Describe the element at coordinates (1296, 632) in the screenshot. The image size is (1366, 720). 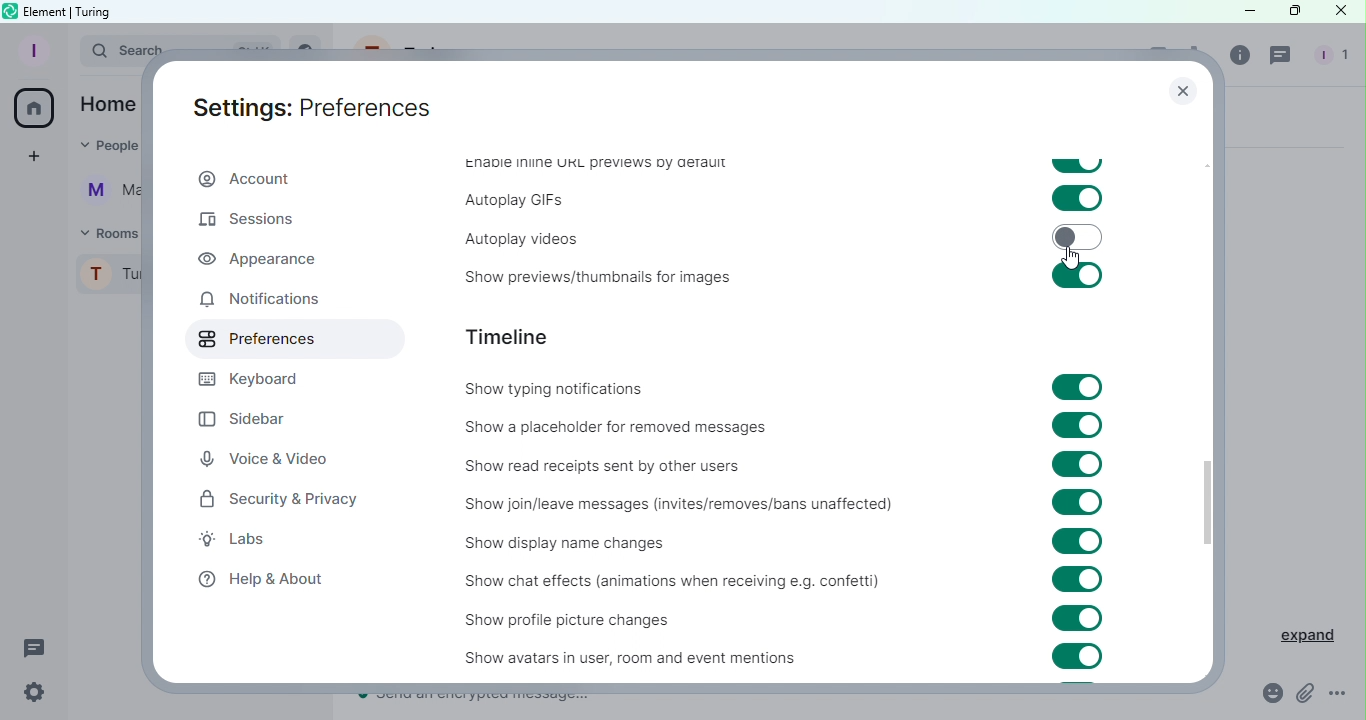
I see `Expand` at that location.